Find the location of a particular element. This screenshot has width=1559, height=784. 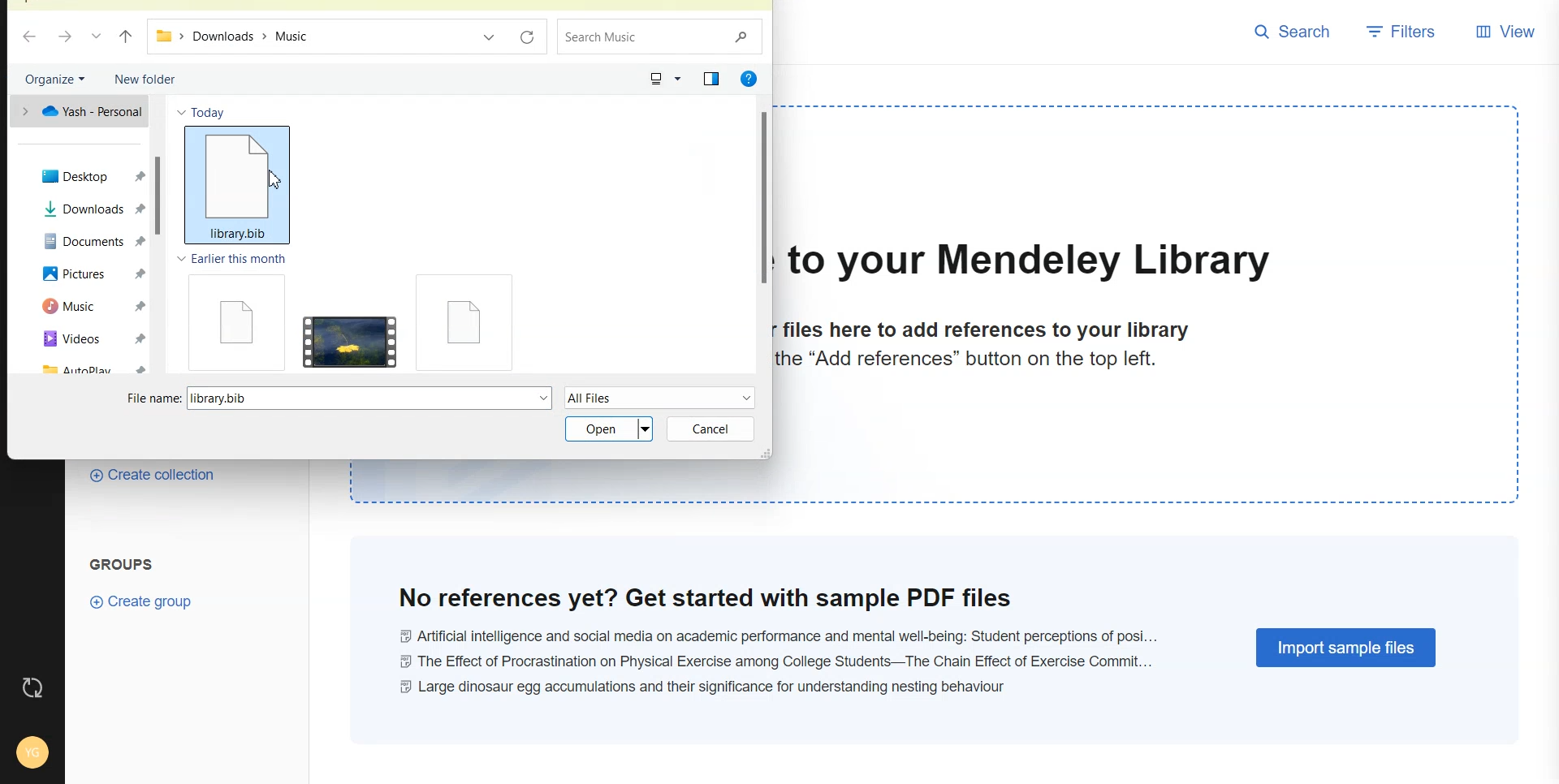

Autoplay  is located at coordinates (89, 367).